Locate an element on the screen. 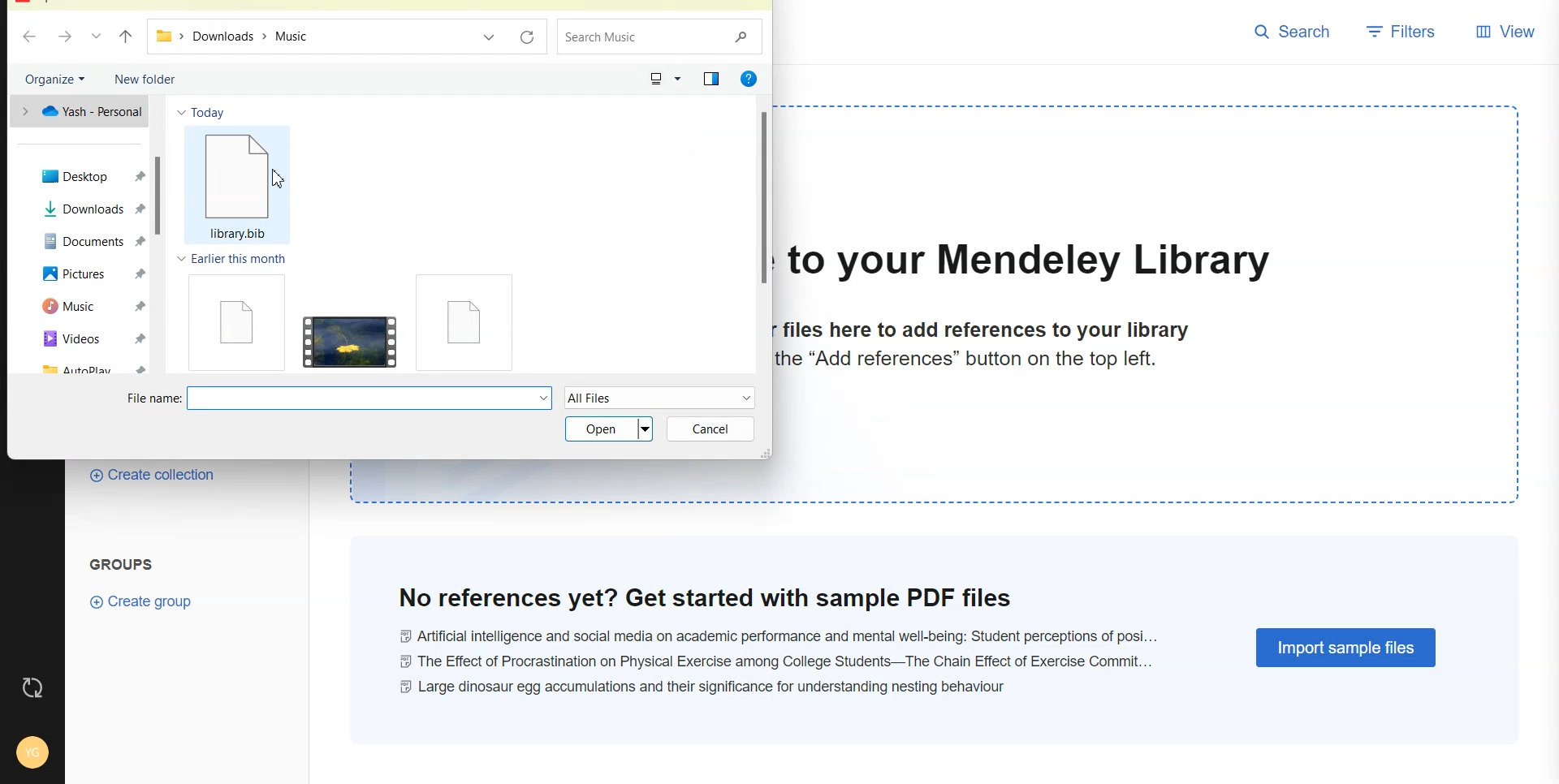 The image size is (1559, 784). File name is located at coordinates (339, 397).